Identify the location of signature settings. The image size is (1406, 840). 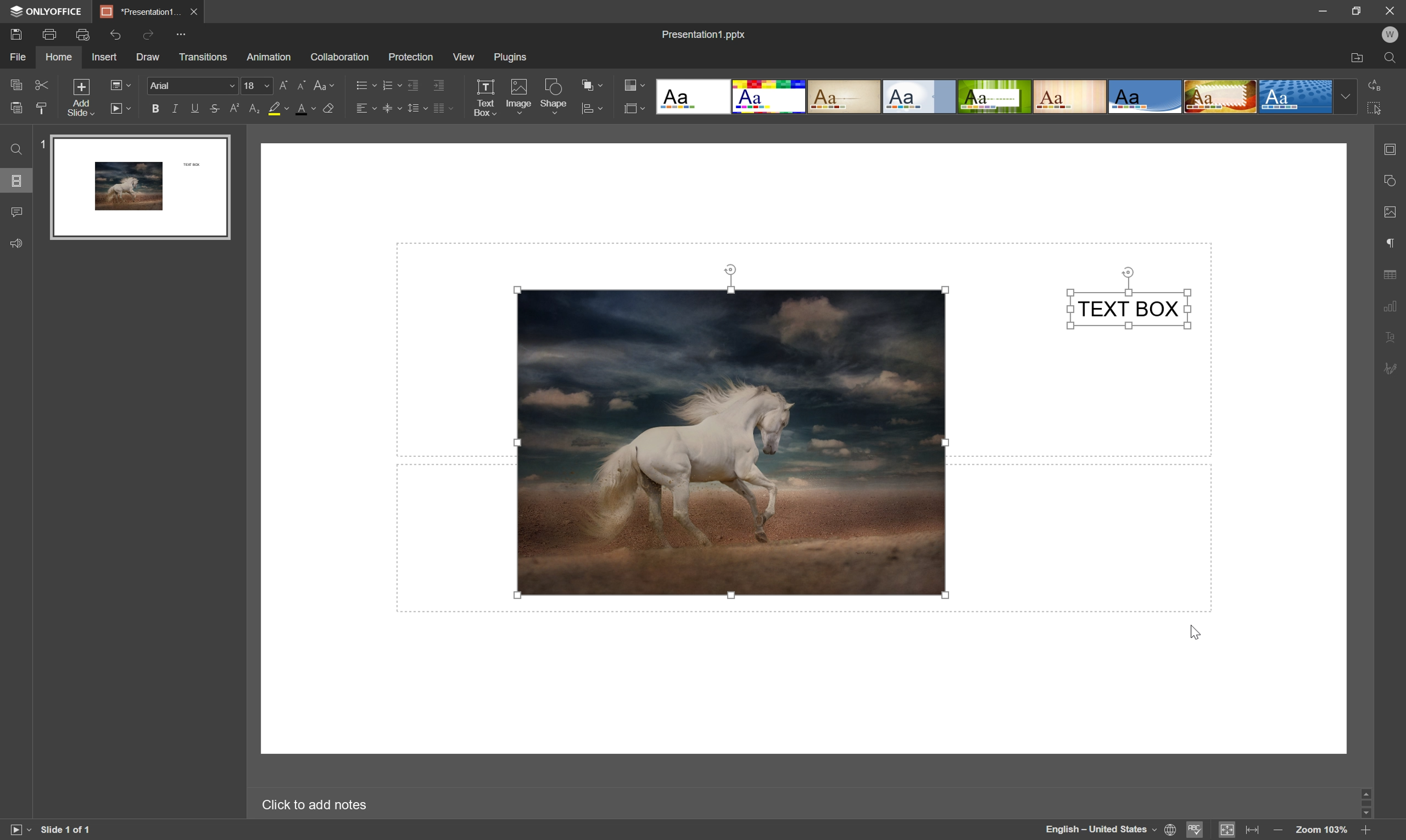
(1390, 371).